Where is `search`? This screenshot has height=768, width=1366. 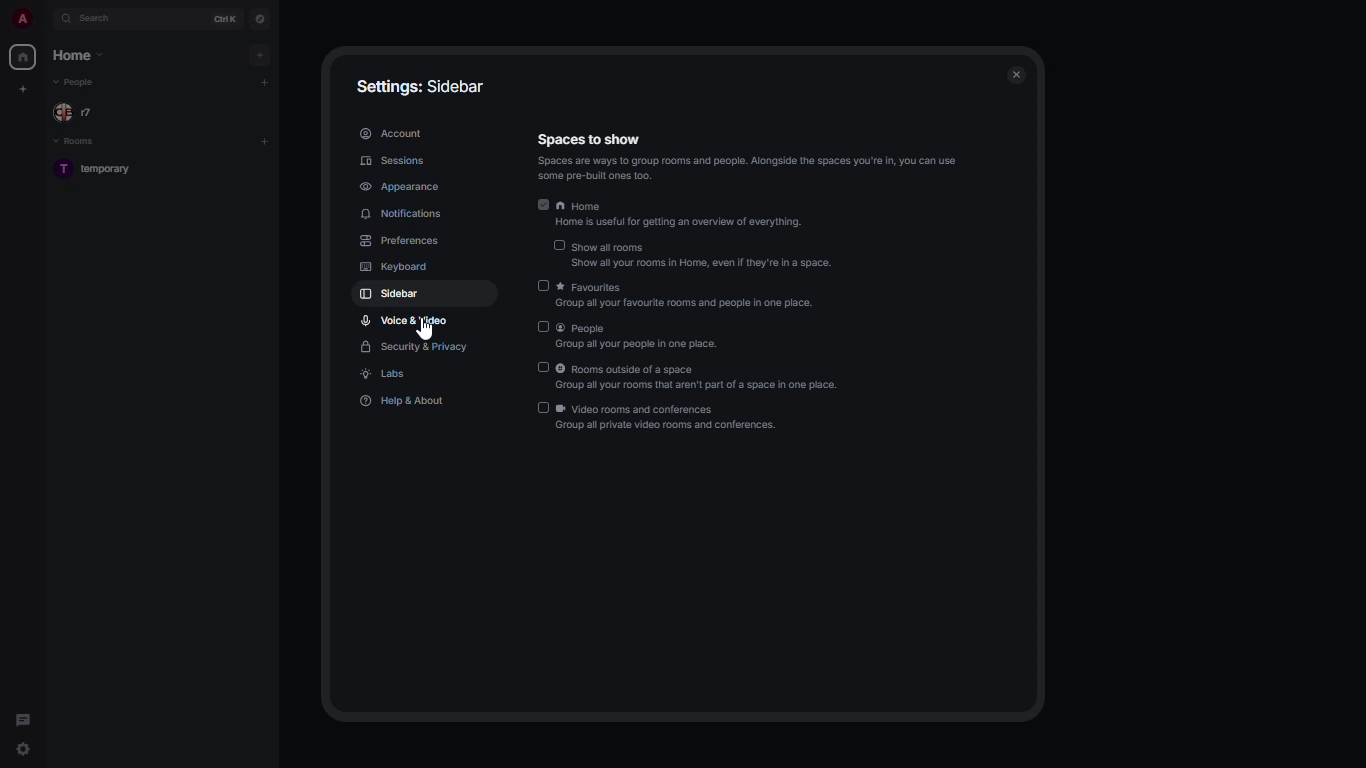 search is located at coordinates (100, 20).